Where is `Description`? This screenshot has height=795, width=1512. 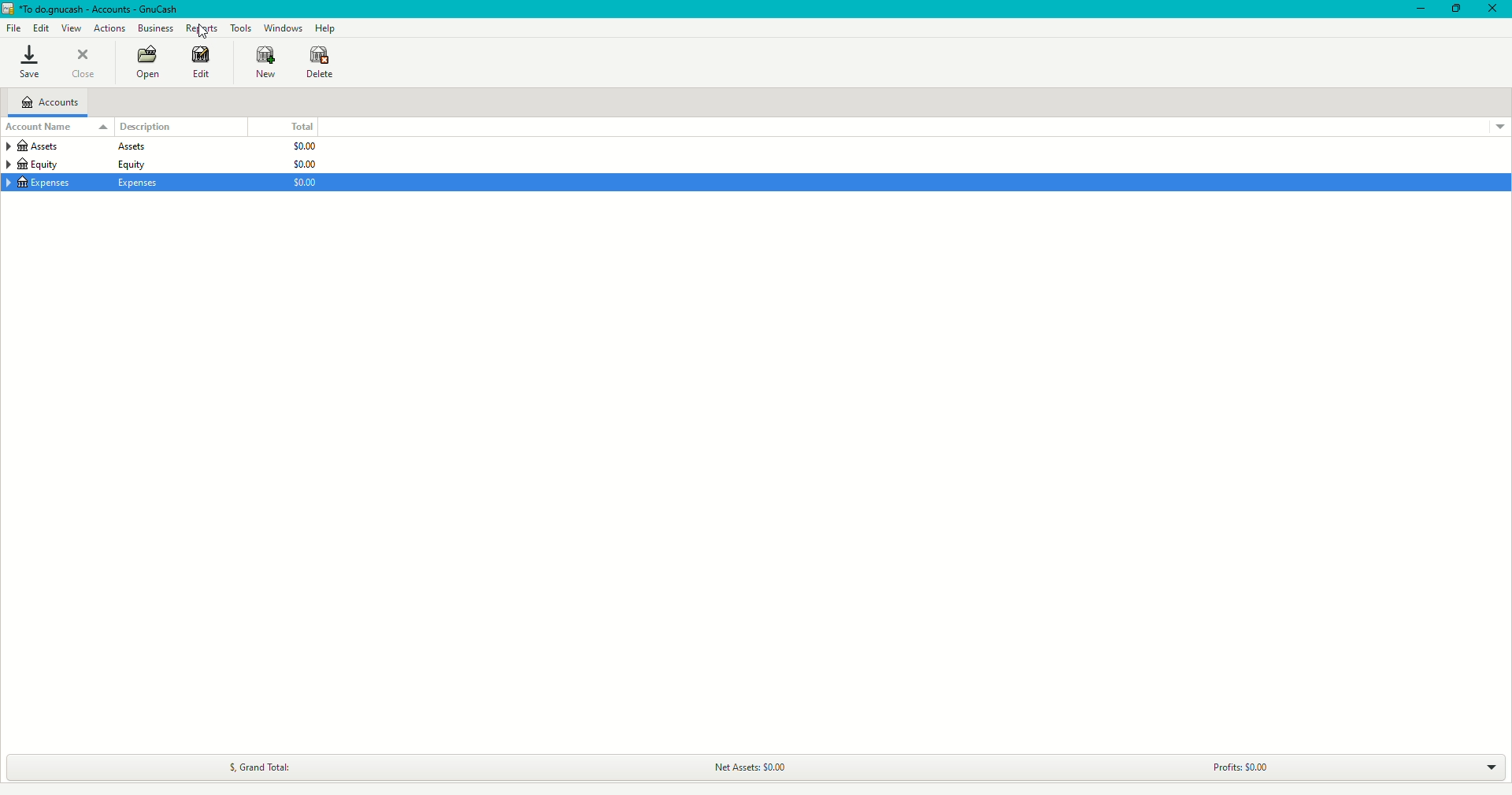 Description is located at coordinates (148, 126).